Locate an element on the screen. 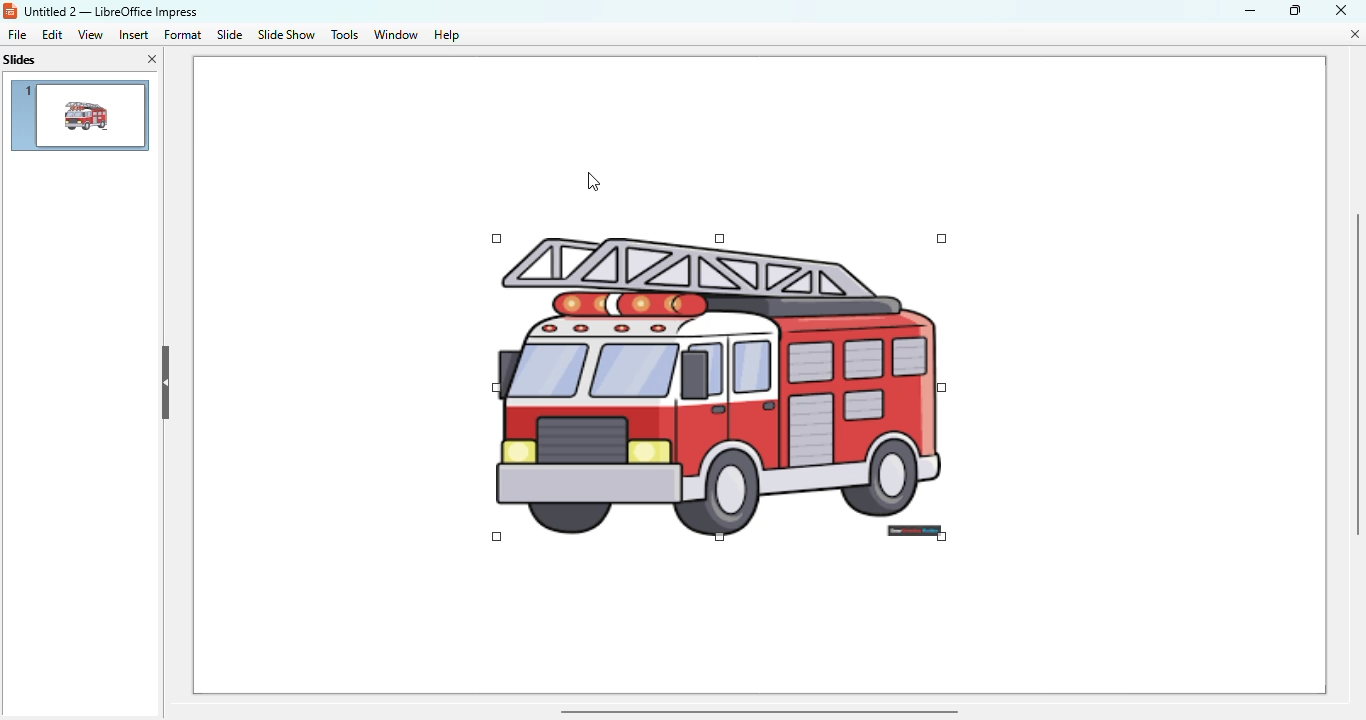  slide show is located at coordinates (287, 34).